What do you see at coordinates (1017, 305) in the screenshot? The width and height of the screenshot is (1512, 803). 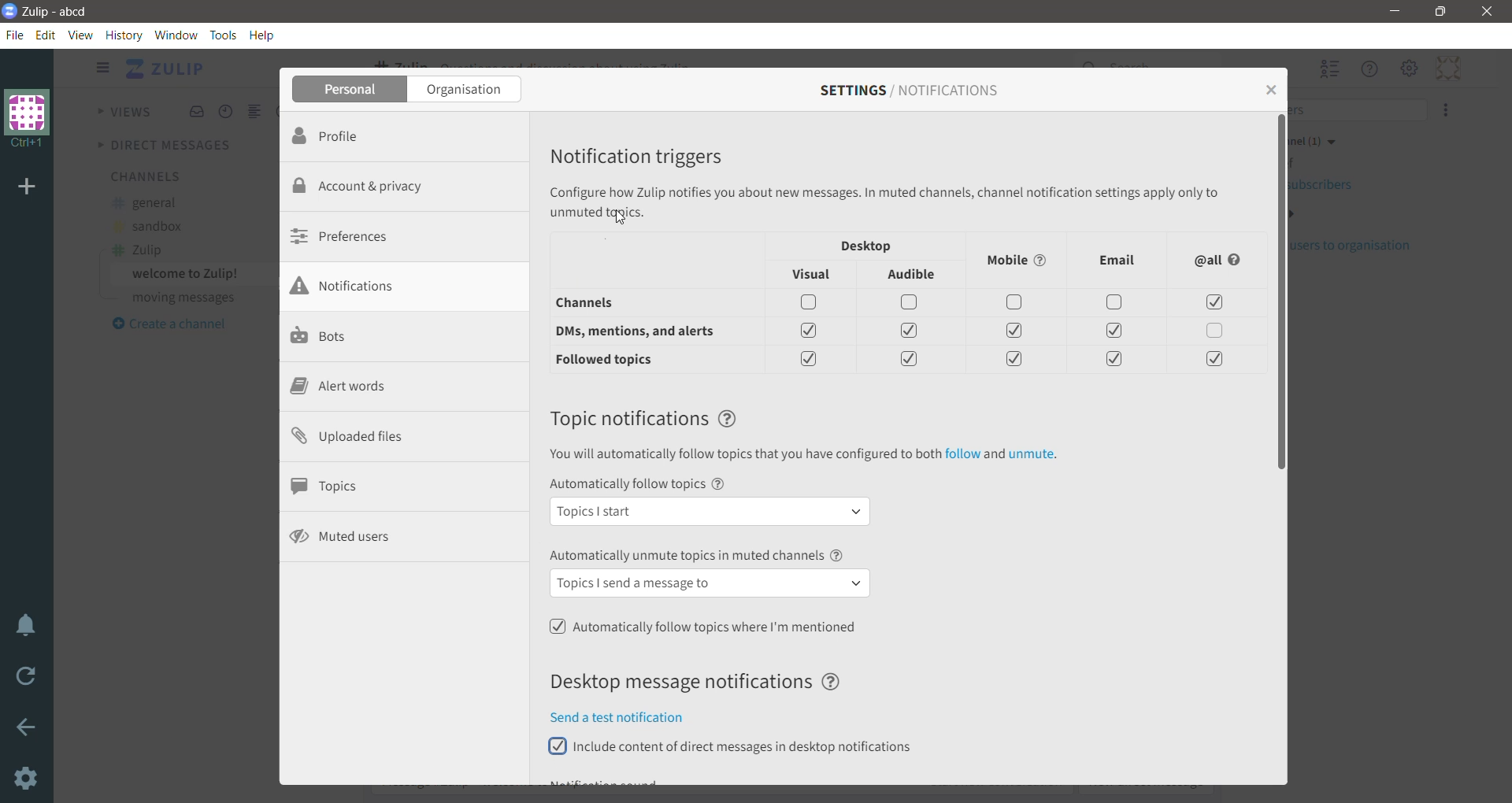 I see `check box` at bounding box center [1017, 305].